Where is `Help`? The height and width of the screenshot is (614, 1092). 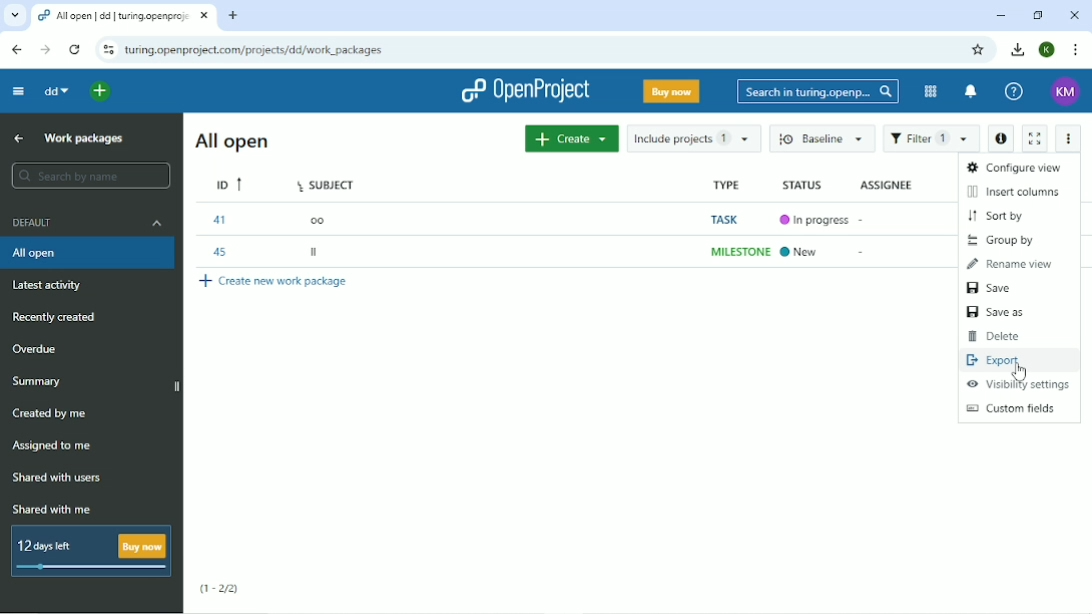
Help is located at coordinates (1013, 92).